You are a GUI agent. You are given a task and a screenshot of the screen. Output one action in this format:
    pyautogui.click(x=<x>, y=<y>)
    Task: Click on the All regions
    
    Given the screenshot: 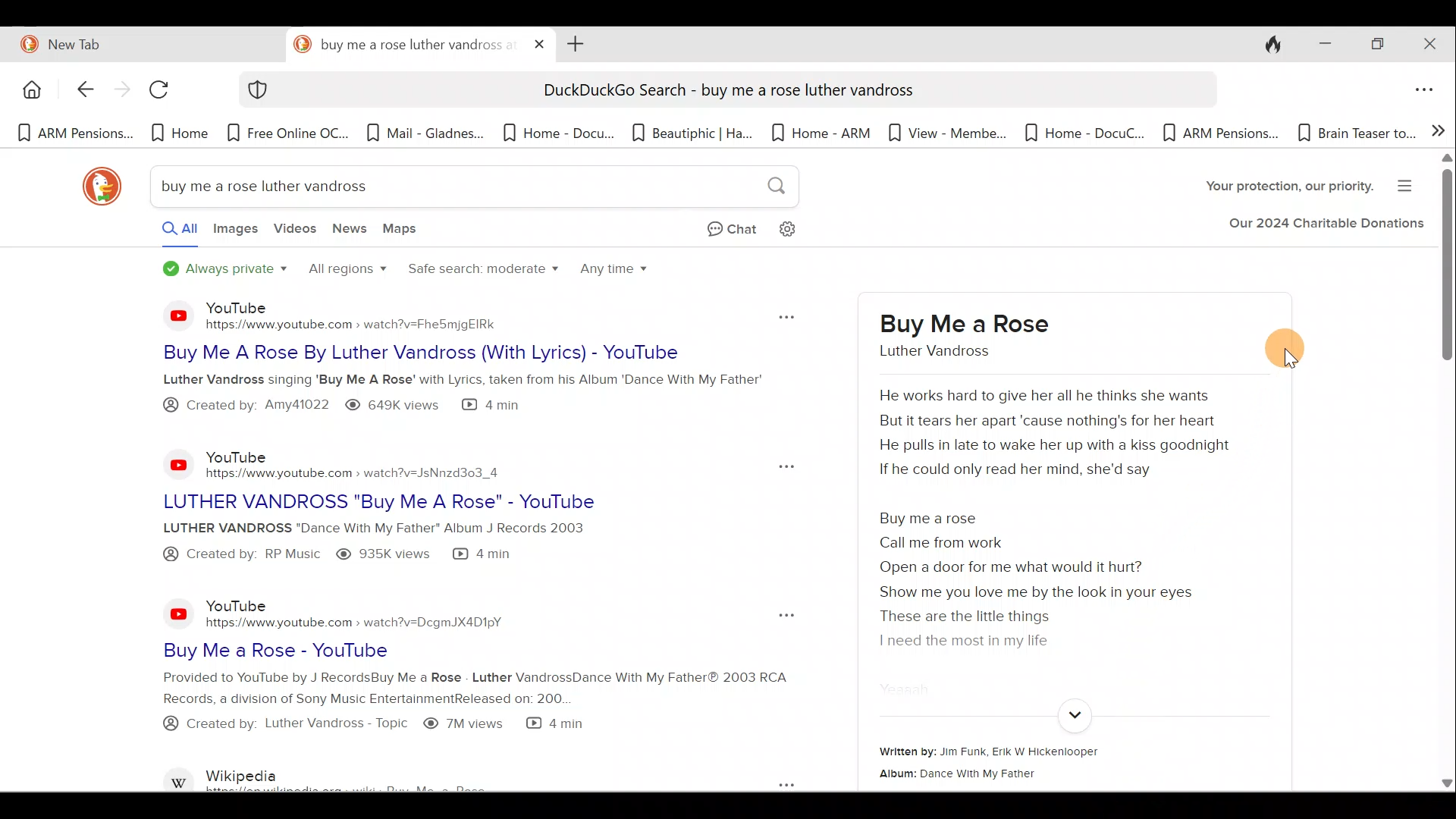 What is the action you would take?
    pyautogui.click(x=346, y=271)
    